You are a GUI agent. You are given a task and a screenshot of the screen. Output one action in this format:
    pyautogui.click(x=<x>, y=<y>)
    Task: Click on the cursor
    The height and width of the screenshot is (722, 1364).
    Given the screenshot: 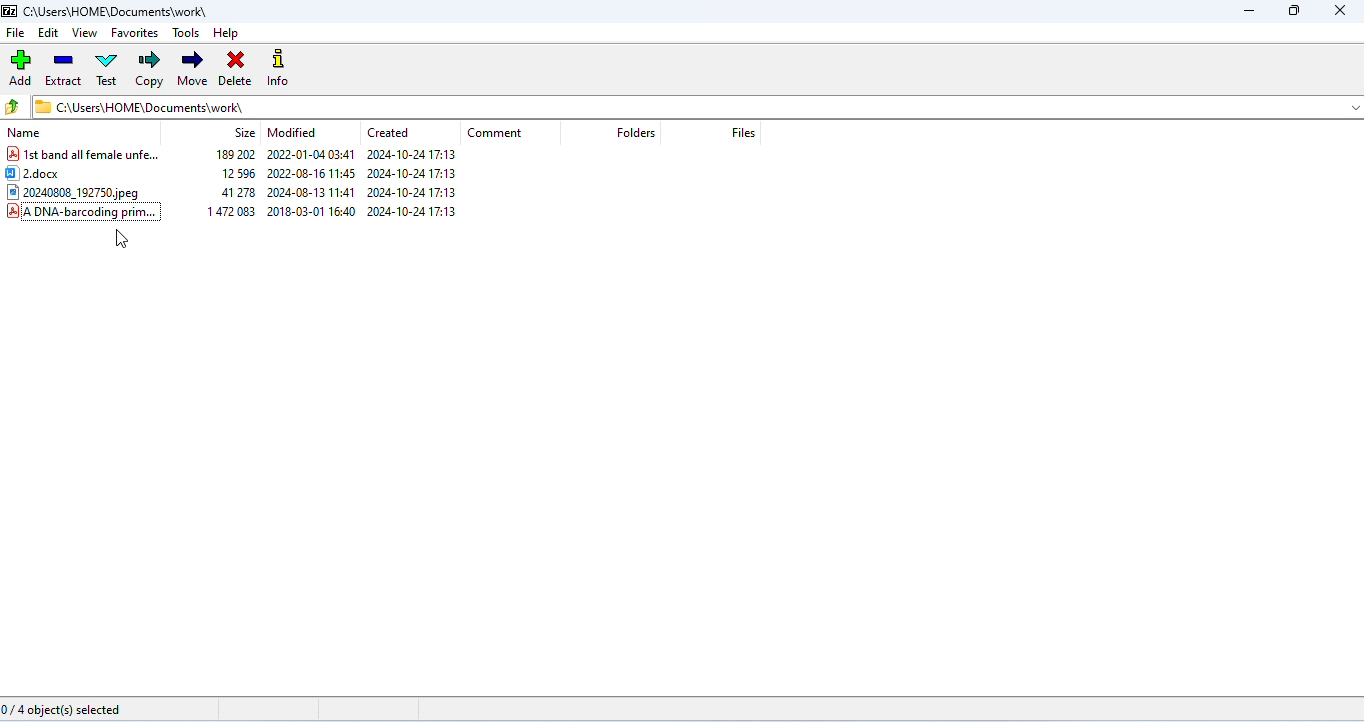 What is the action you would take?
    pyautogui.click(x=122, y=239)
    